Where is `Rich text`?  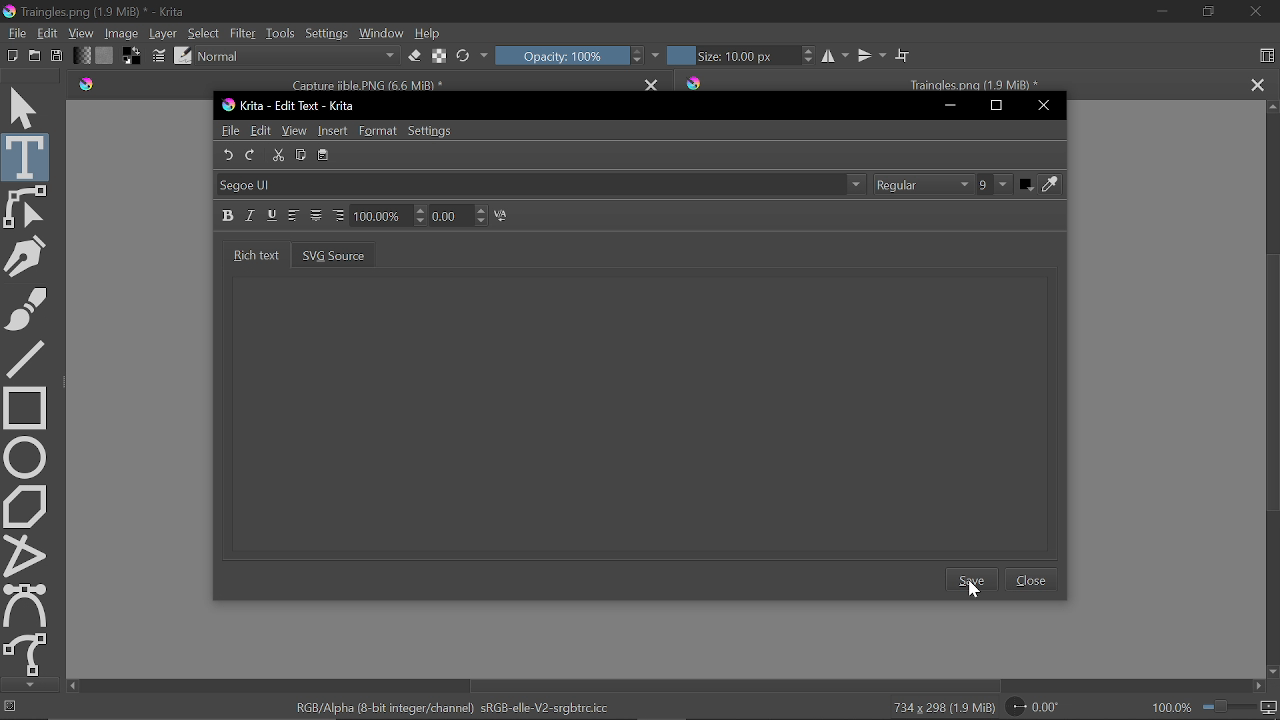
Rich text is located at coordinates (253, 256).